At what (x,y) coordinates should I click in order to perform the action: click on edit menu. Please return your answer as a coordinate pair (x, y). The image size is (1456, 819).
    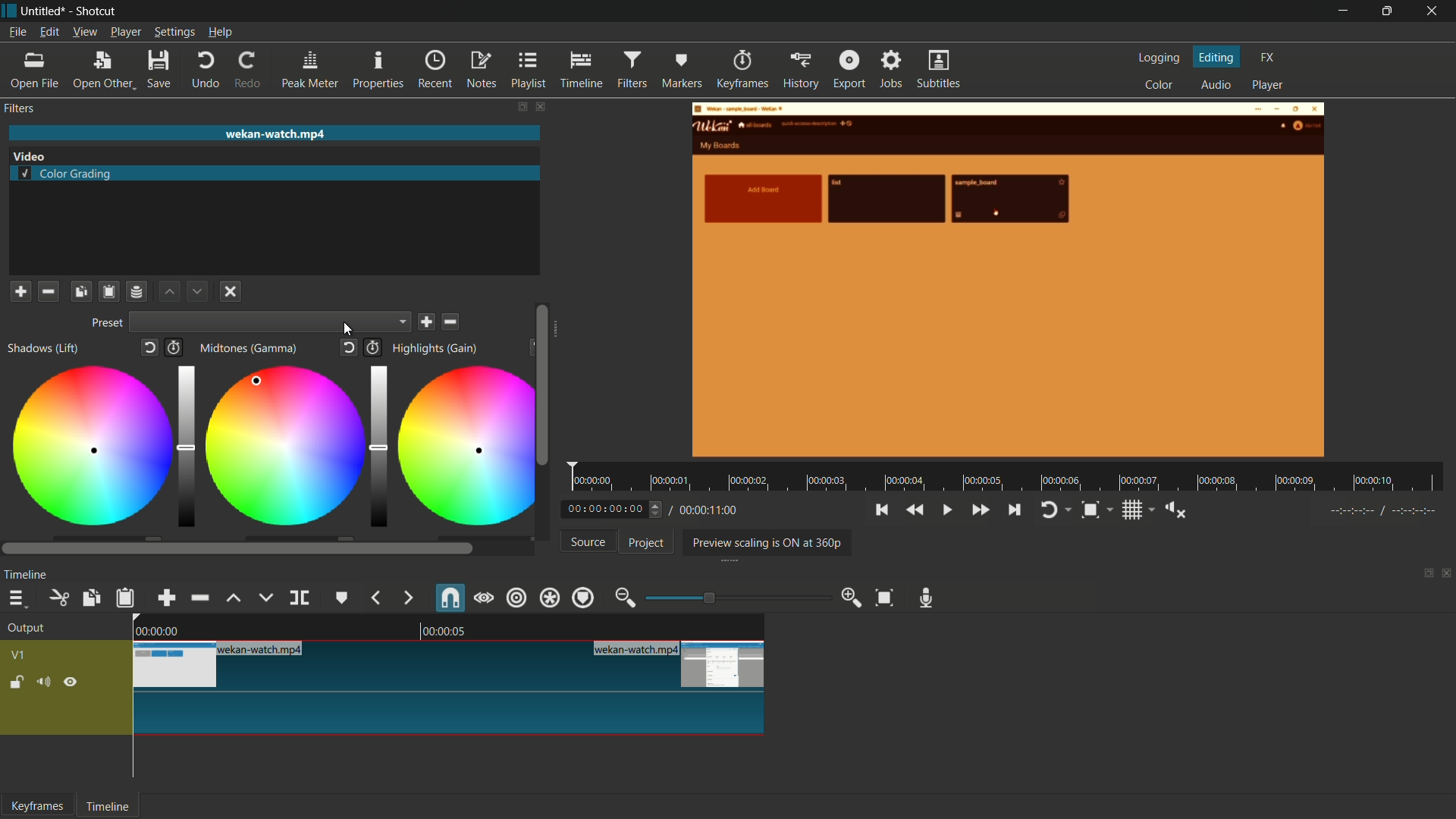
    Looking at the image, I should click on (49, 32).